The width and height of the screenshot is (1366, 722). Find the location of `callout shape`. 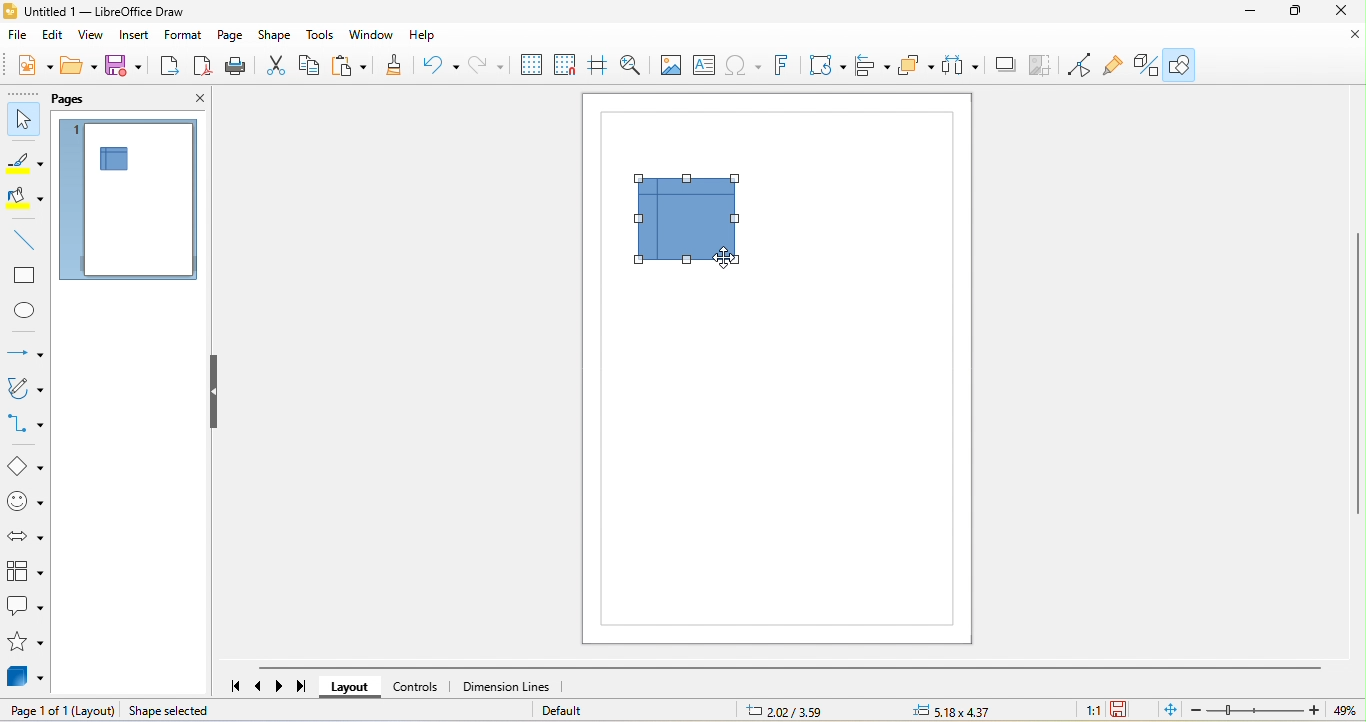

callout shape is located at coordinates (26, 607).